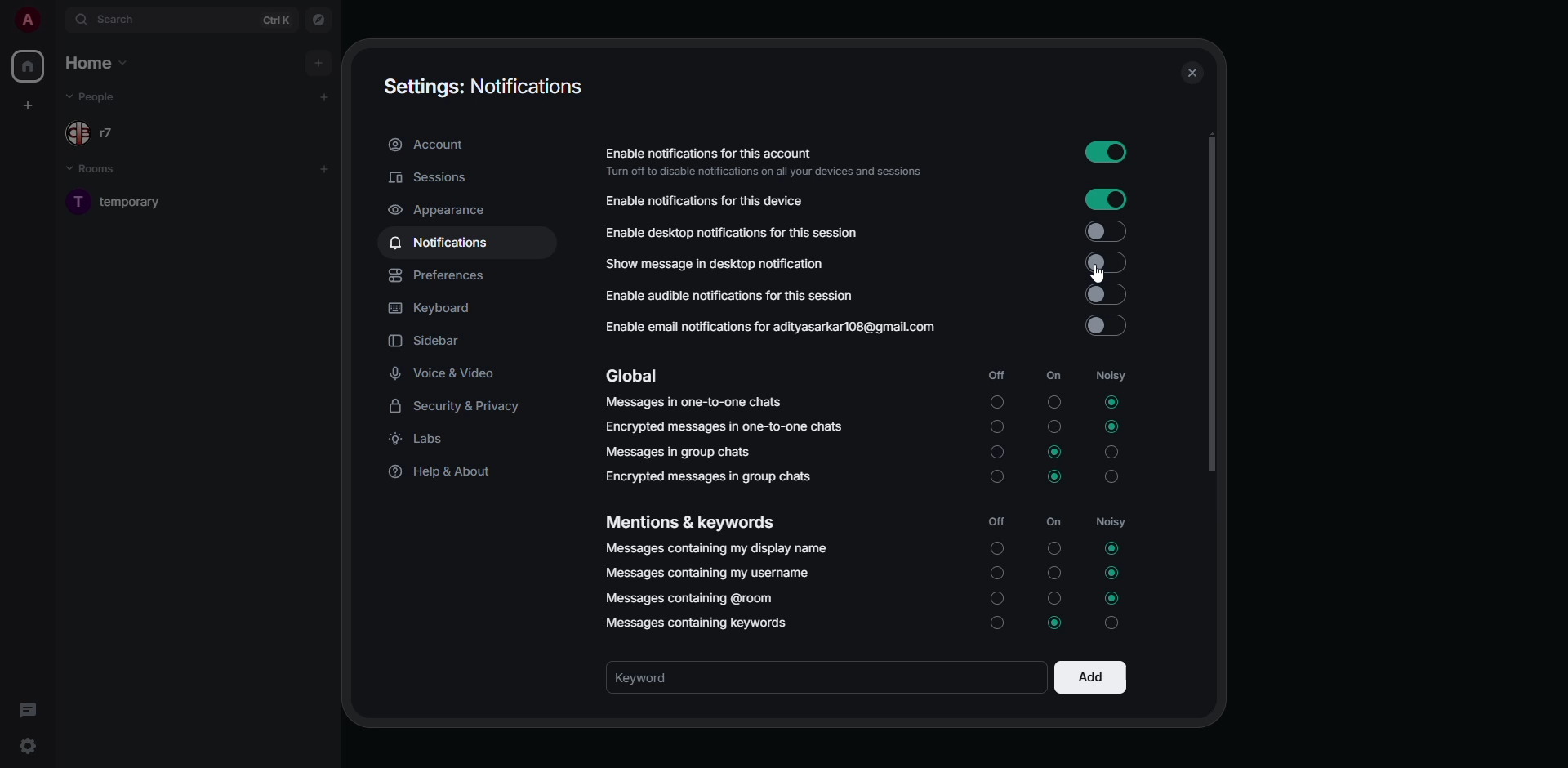 The height and width of the screenshot is (768, 1568). I want to click on ctrl K, so click(277, 19).